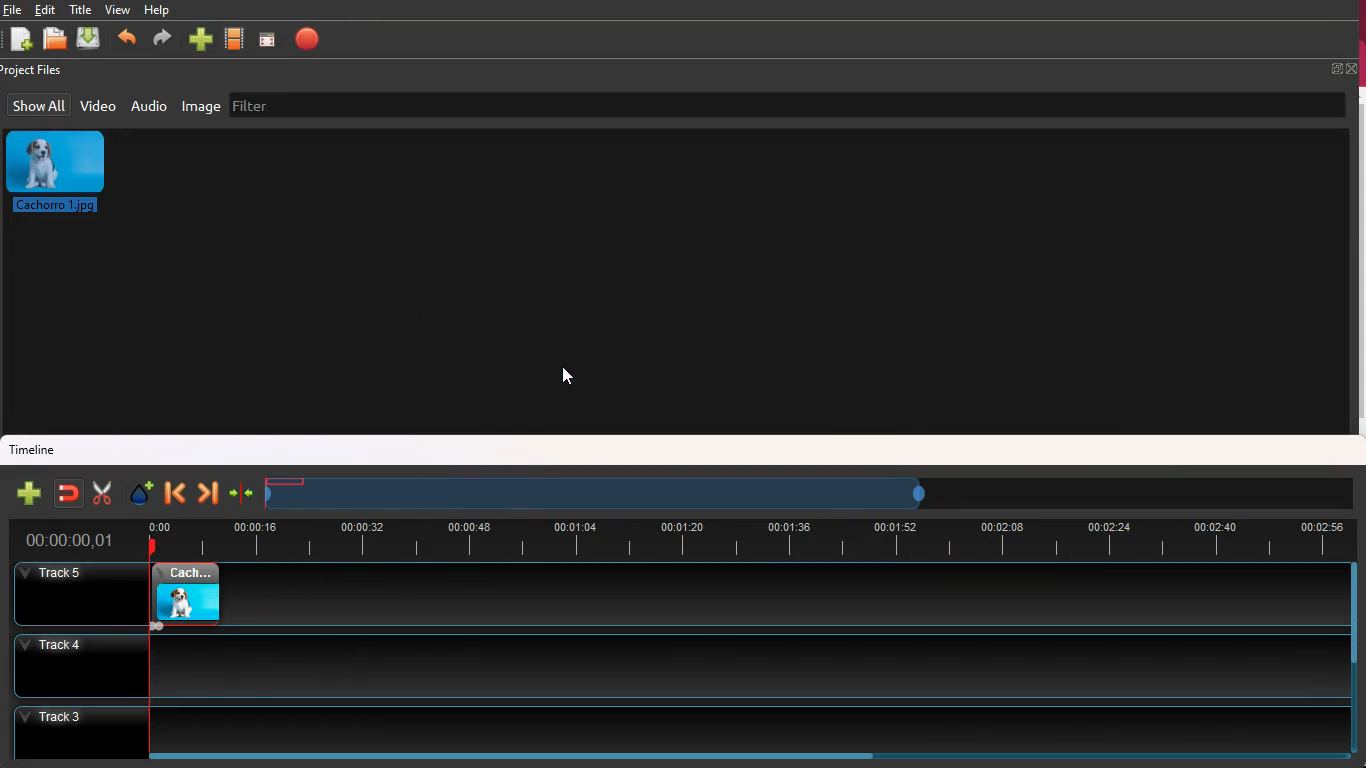  What do you see at coordinates (20, 40) in the screenshot?
I see `new` at bounding box center [20, 40].